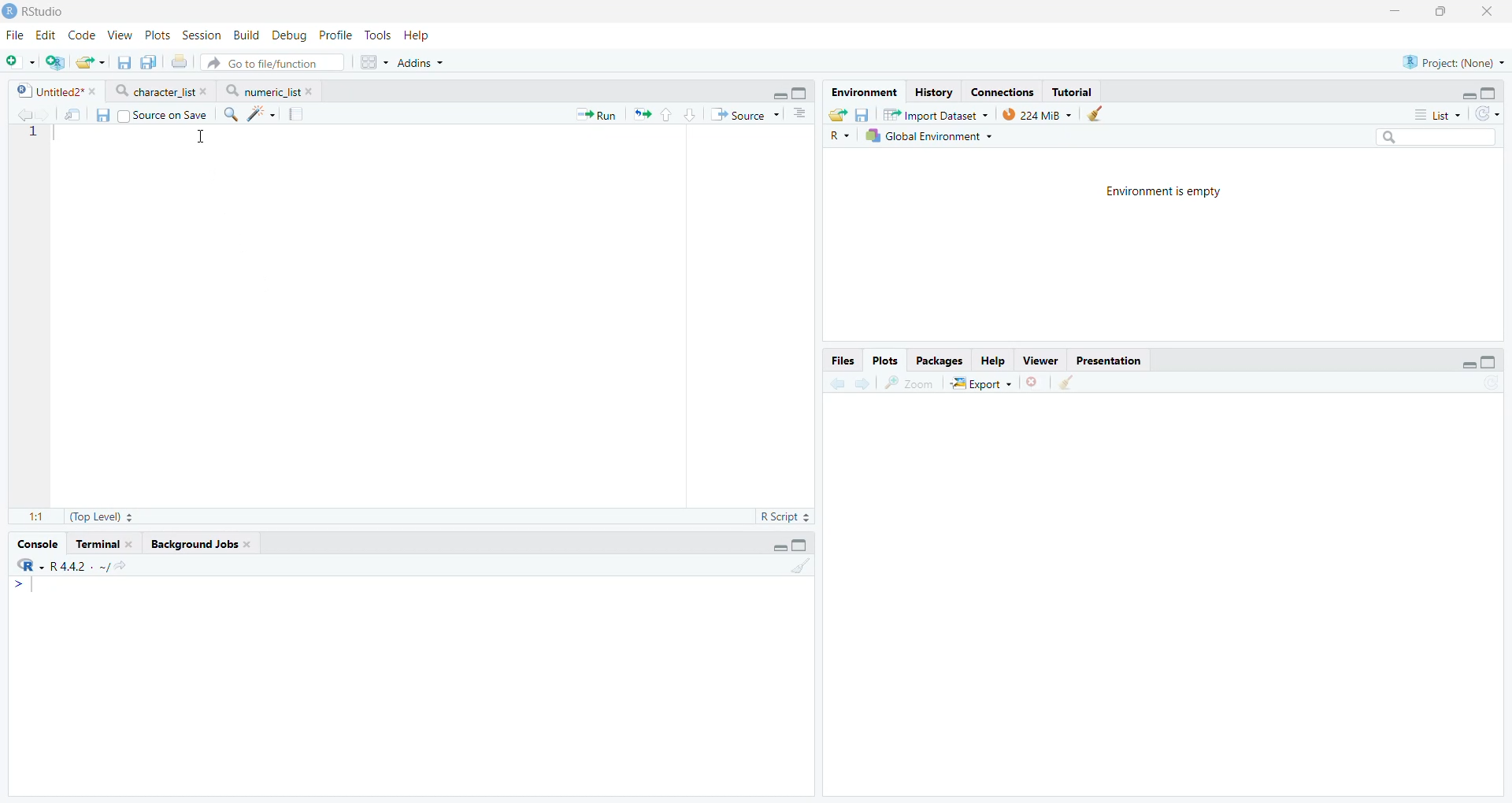 This screenshot has height=803, width=1512. Describe the element at coordinates (39, 545) in the screenshot. I see `Console` at that location.